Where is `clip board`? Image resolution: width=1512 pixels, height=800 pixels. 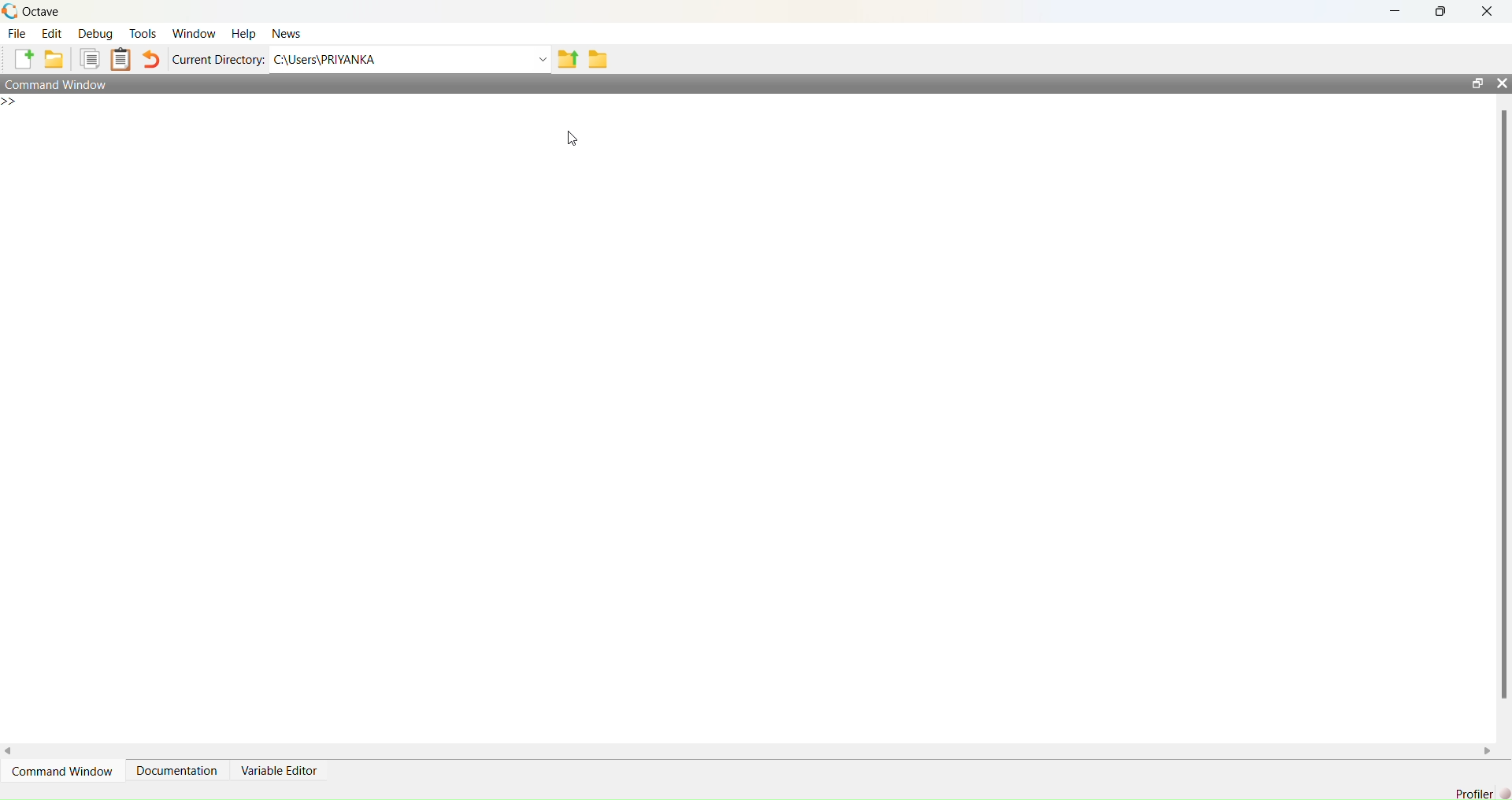 clip board is located at coordinates (121, 59).